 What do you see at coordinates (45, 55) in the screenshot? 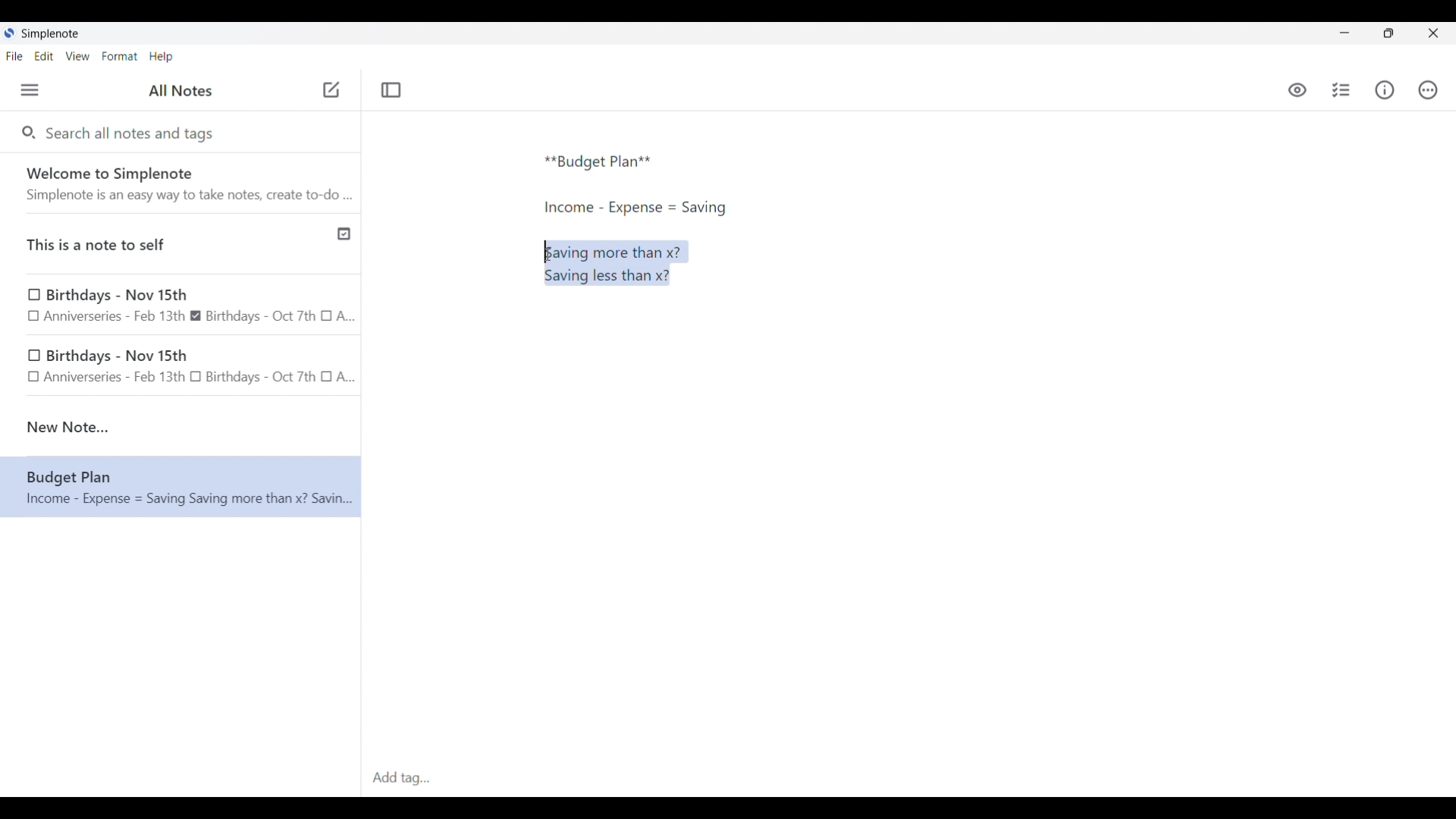
I see `Edit menu` at bounding box center [45, 55].